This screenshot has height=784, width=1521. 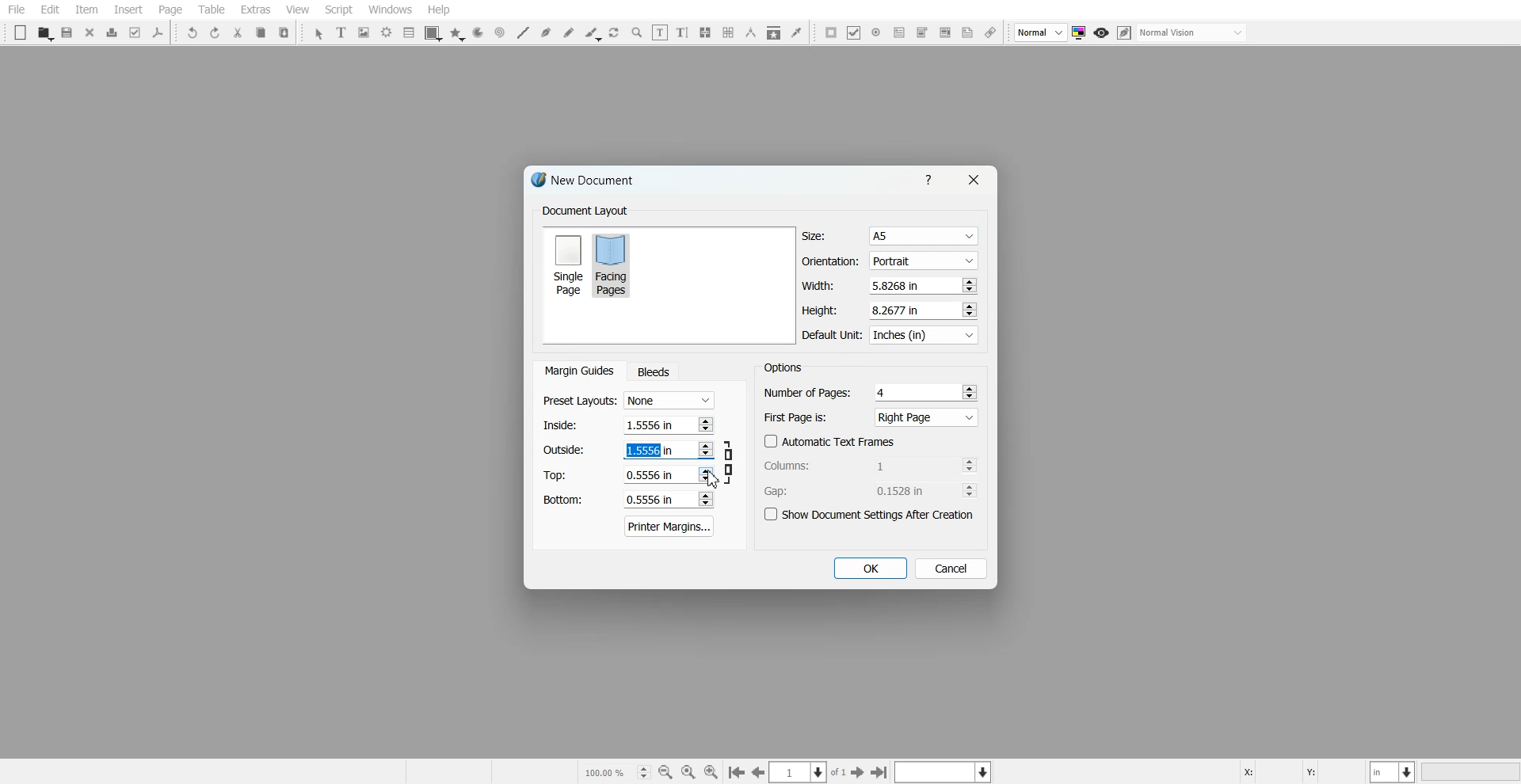 What do you see at coordinates (951, 568) in the screenshot?
I see `Cancel` at bounding box center [951, 568].